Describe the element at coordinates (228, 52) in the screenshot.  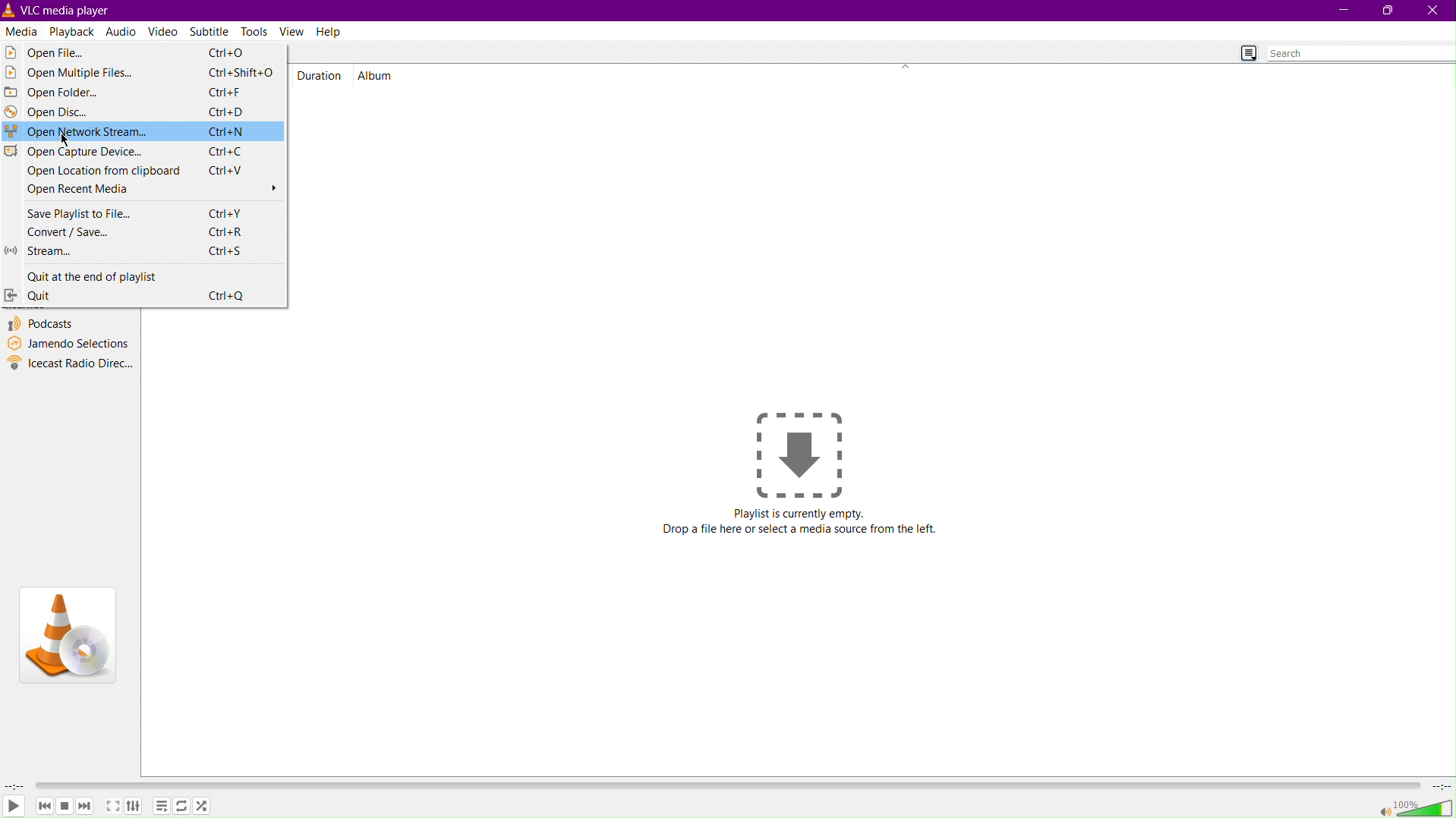
I see `Ctrl+0` at that location.